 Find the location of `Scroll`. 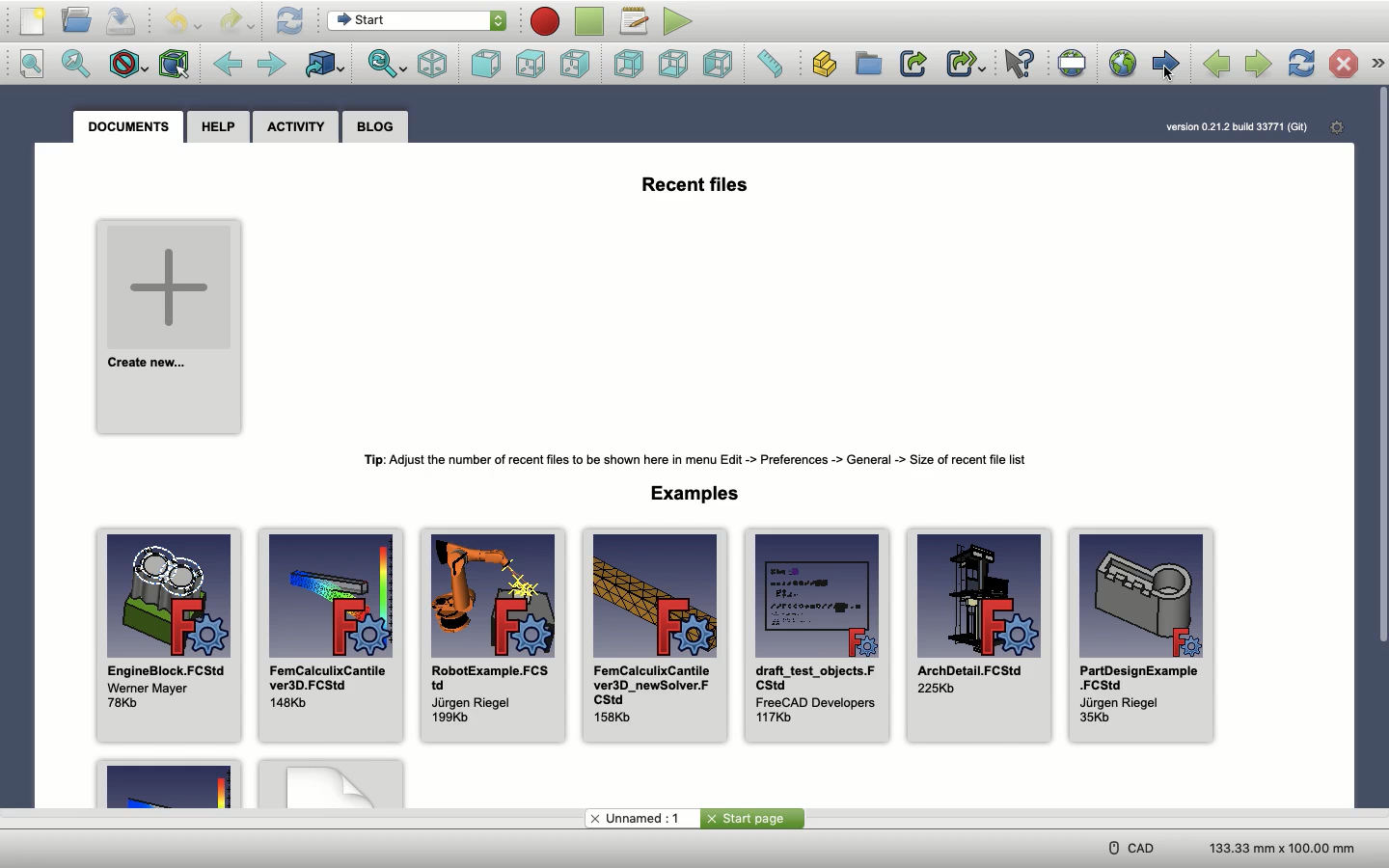

Scroll is located at coordinates (1380, 364).